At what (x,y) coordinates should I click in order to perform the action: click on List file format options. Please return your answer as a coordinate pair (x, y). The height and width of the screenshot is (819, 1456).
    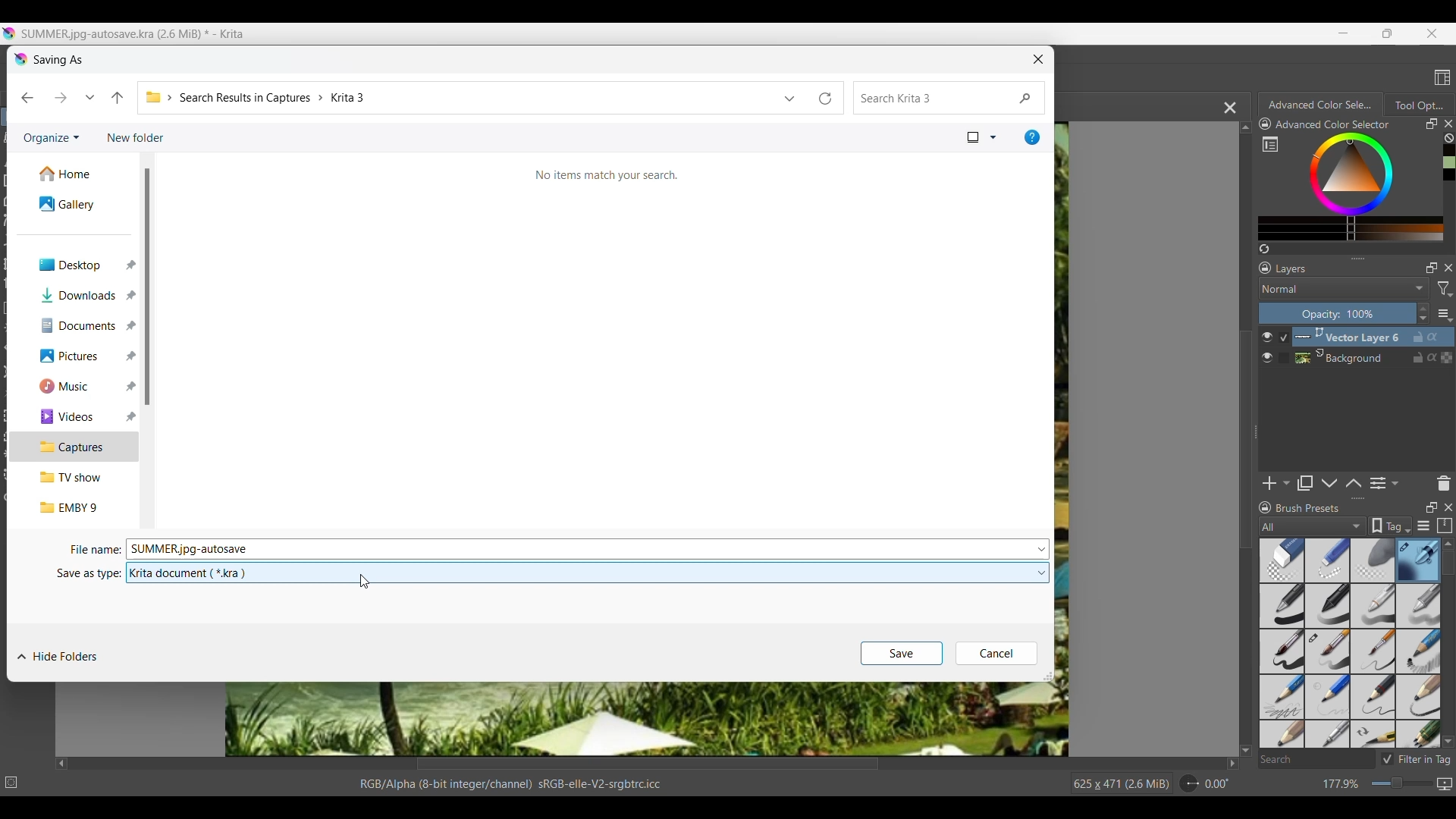
    Looking at the image, I should click on (1042, 573).